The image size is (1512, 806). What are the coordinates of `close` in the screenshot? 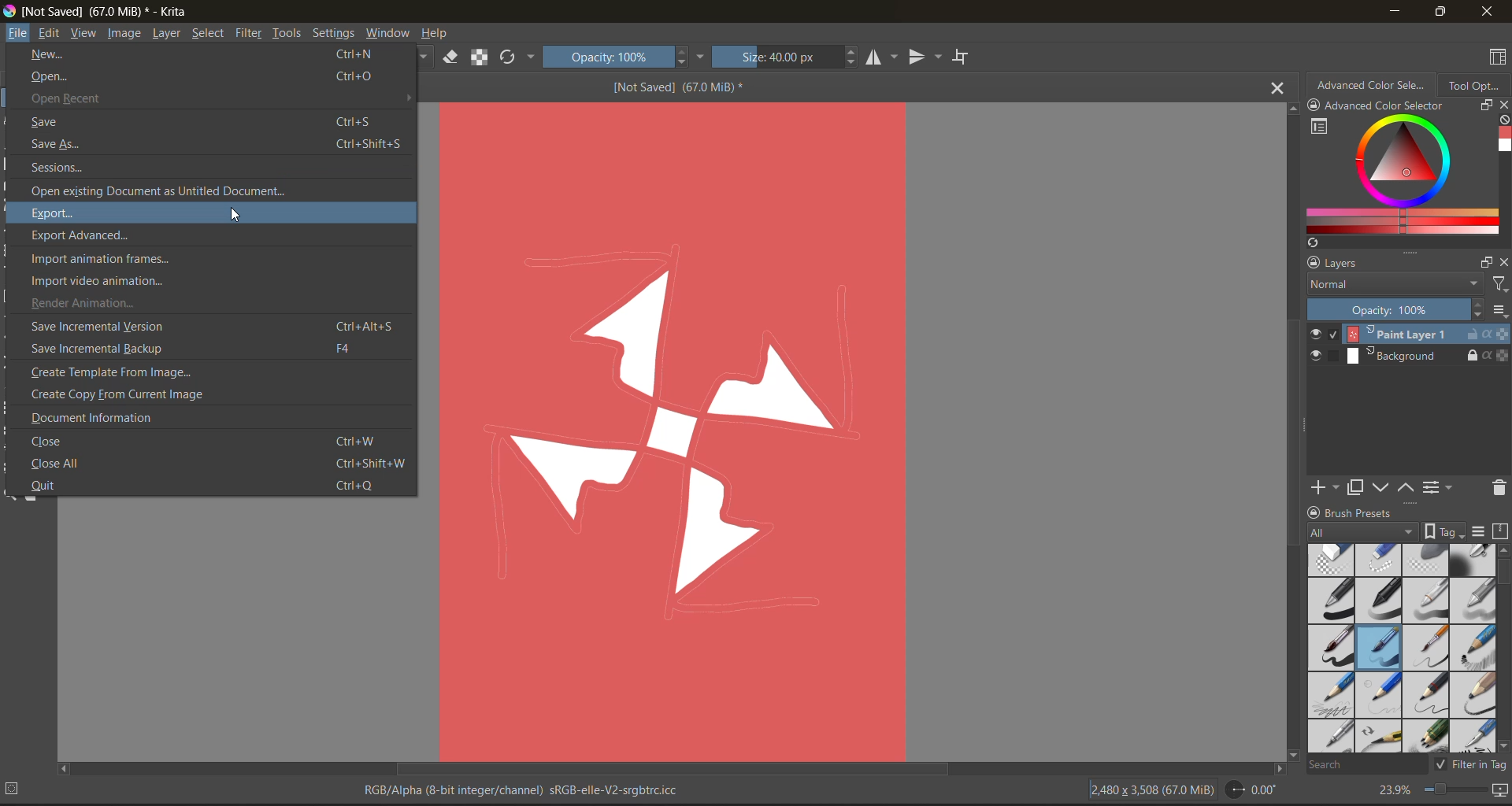 It's located at (1487, 13).